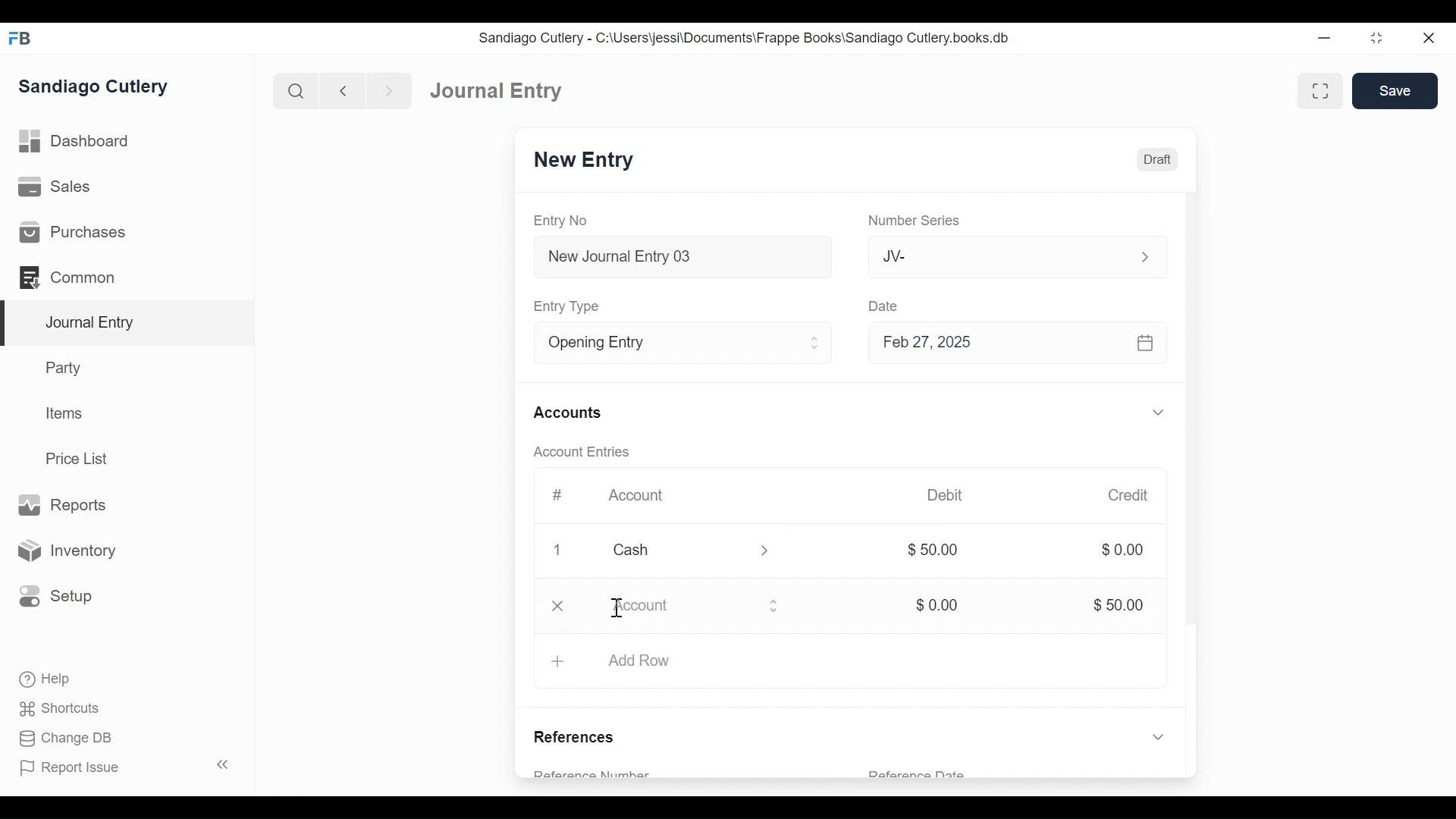 The image size is (1456, 819). I want to click on Navigate forward, so click(388, 91).